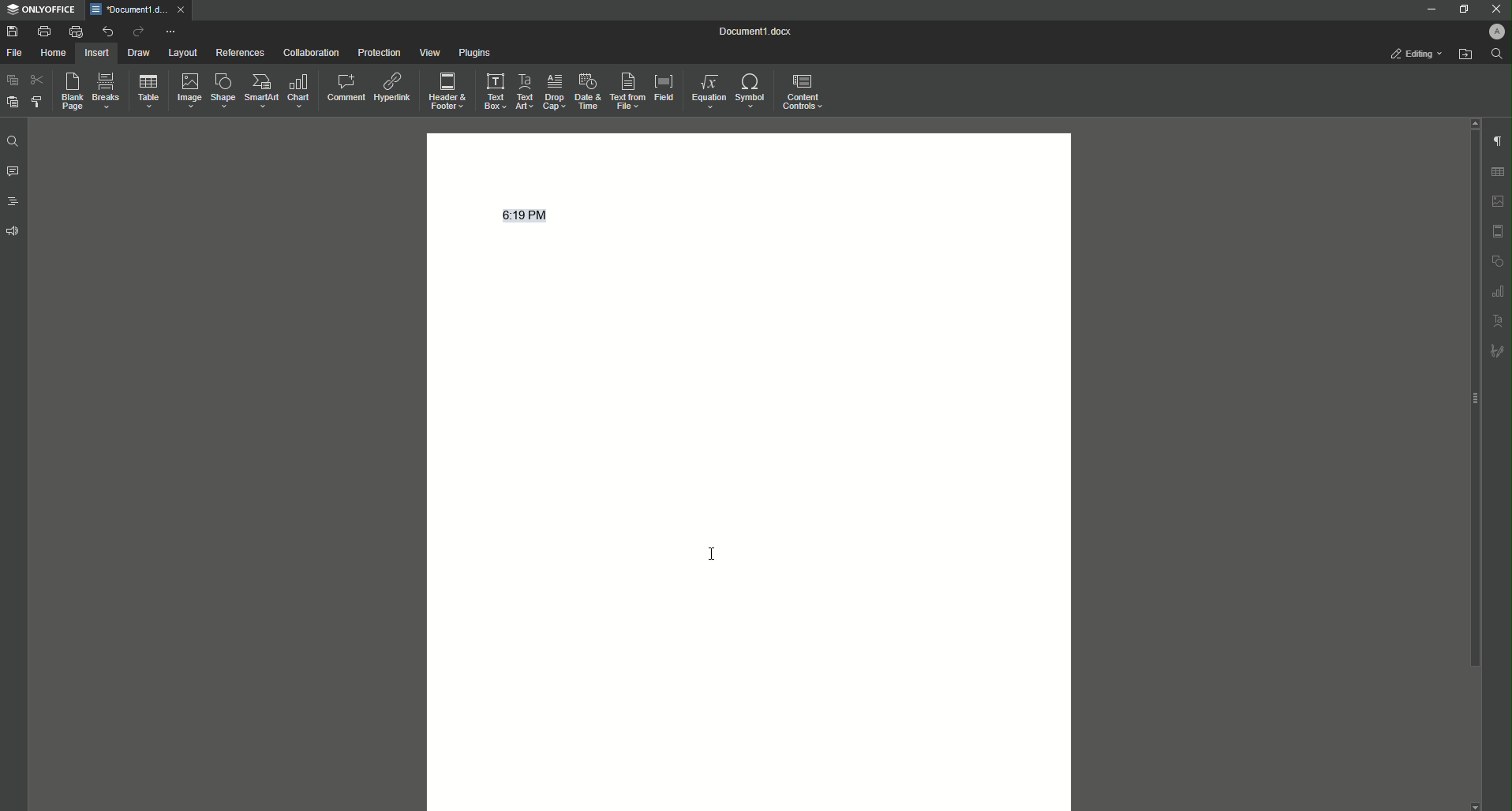 The height and width of the screenshot is (811, 1512). Describe the element at coordinates (37, 102) in the screenshot. I see `Choose Style` at that location.